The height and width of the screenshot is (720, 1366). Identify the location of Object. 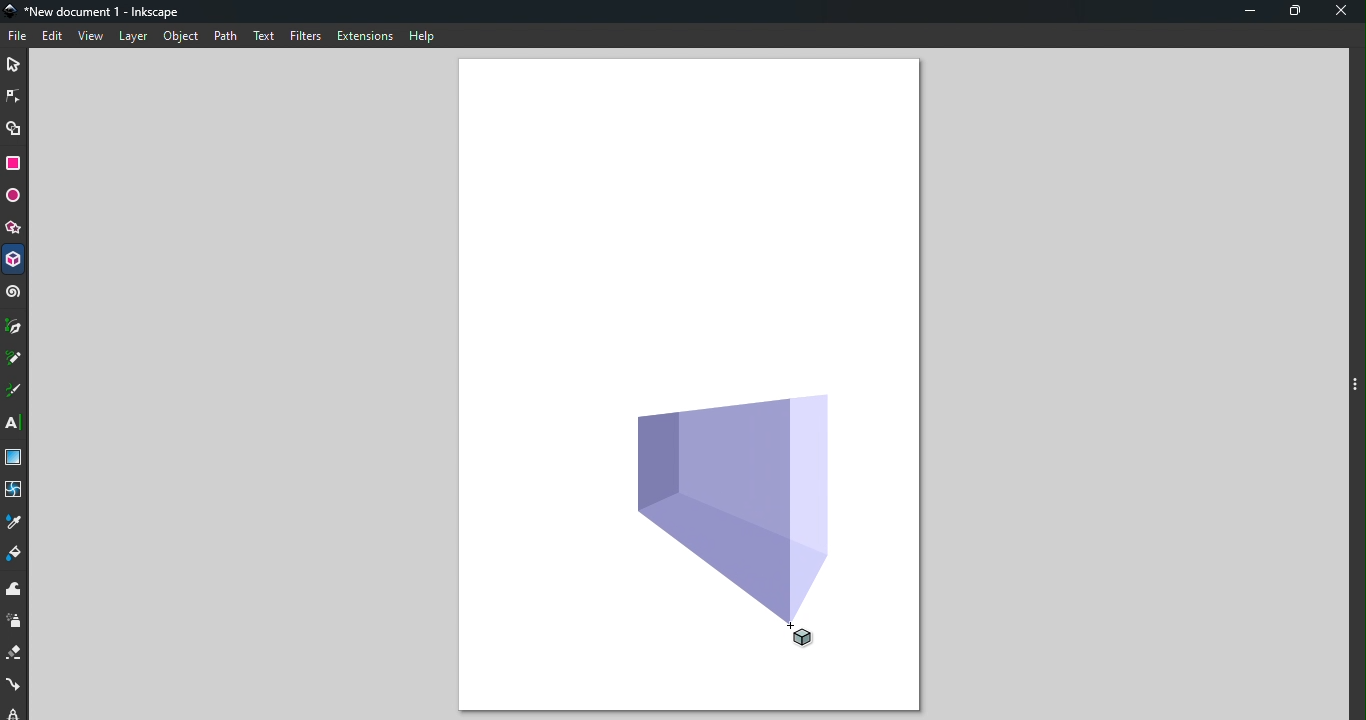
(178, 39).